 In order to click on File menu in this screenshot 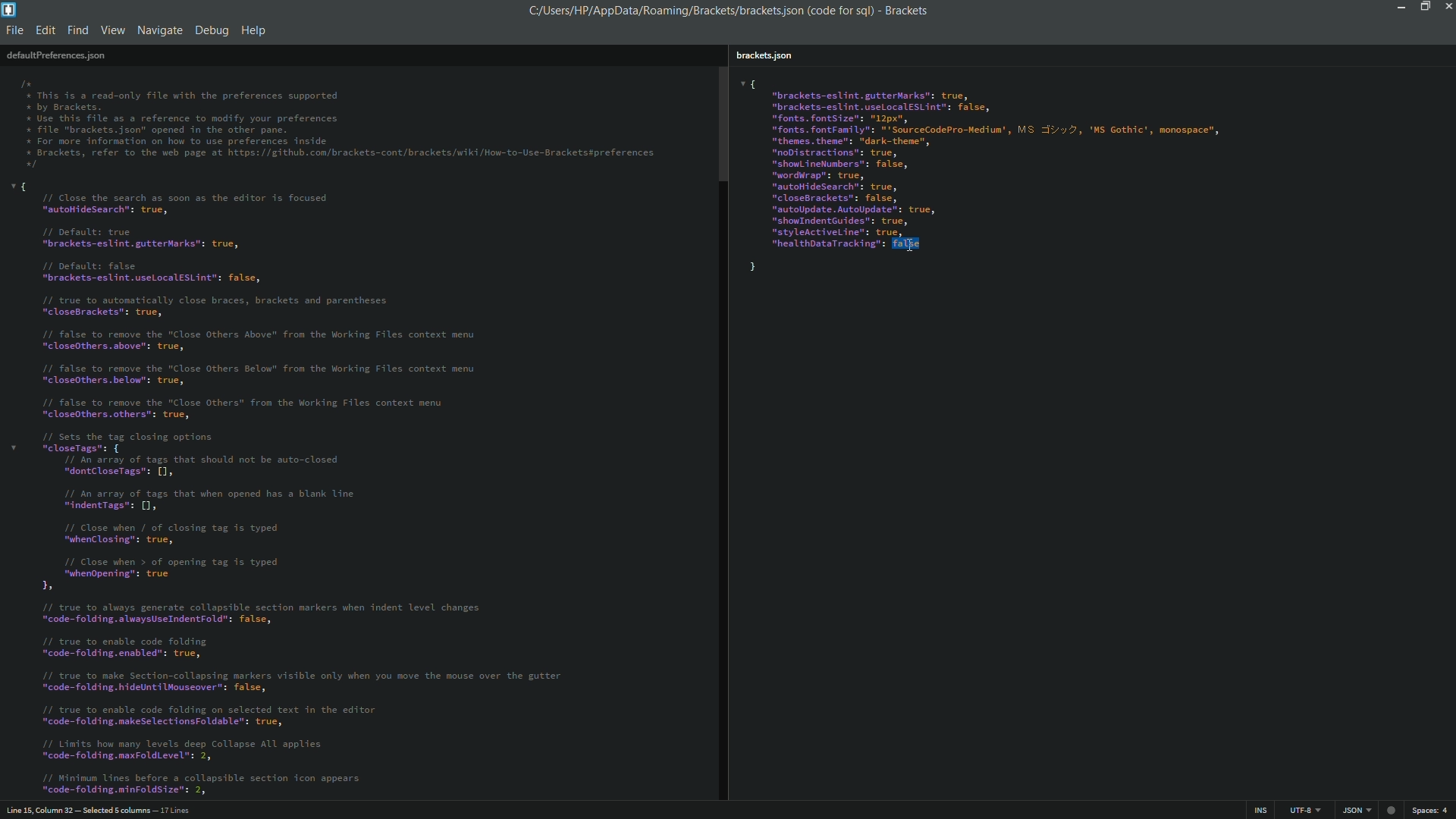, I will do `click(14, 32)`.